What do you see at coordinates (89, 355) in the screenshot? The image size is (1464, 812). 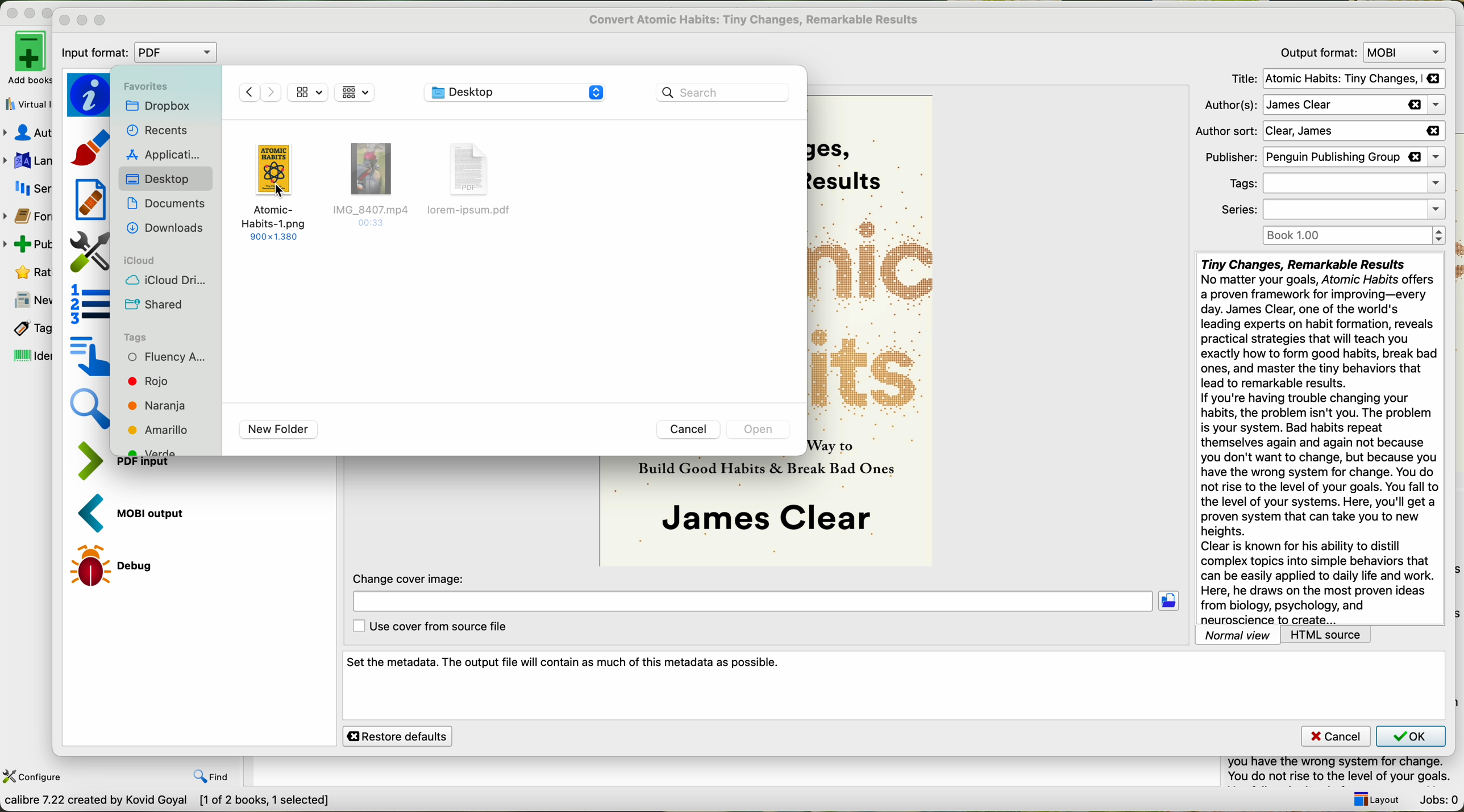 I see `table of contents` at bounding box center [89, 355].